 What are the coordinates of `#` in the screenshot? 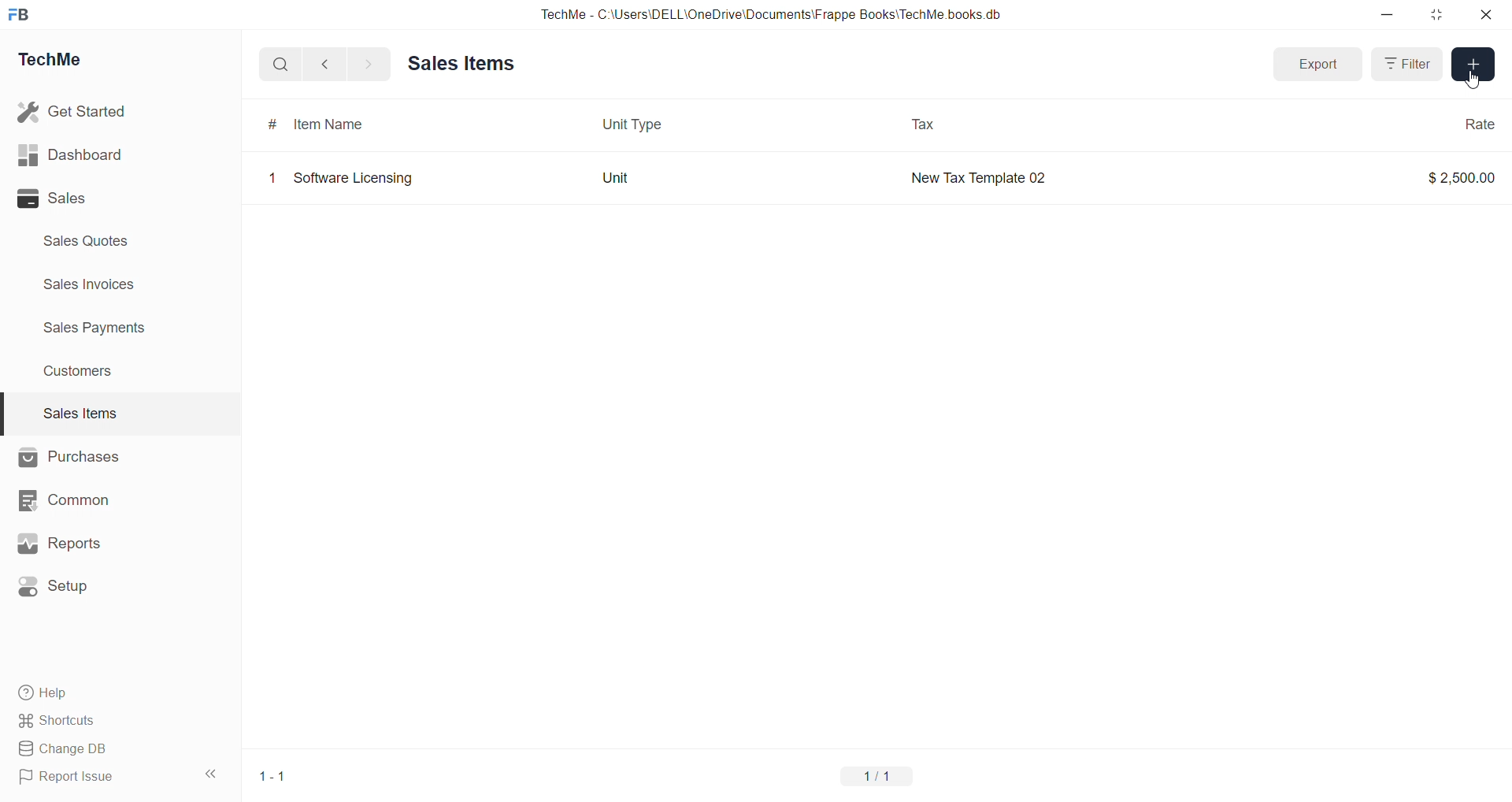 It's located at (271, 123).